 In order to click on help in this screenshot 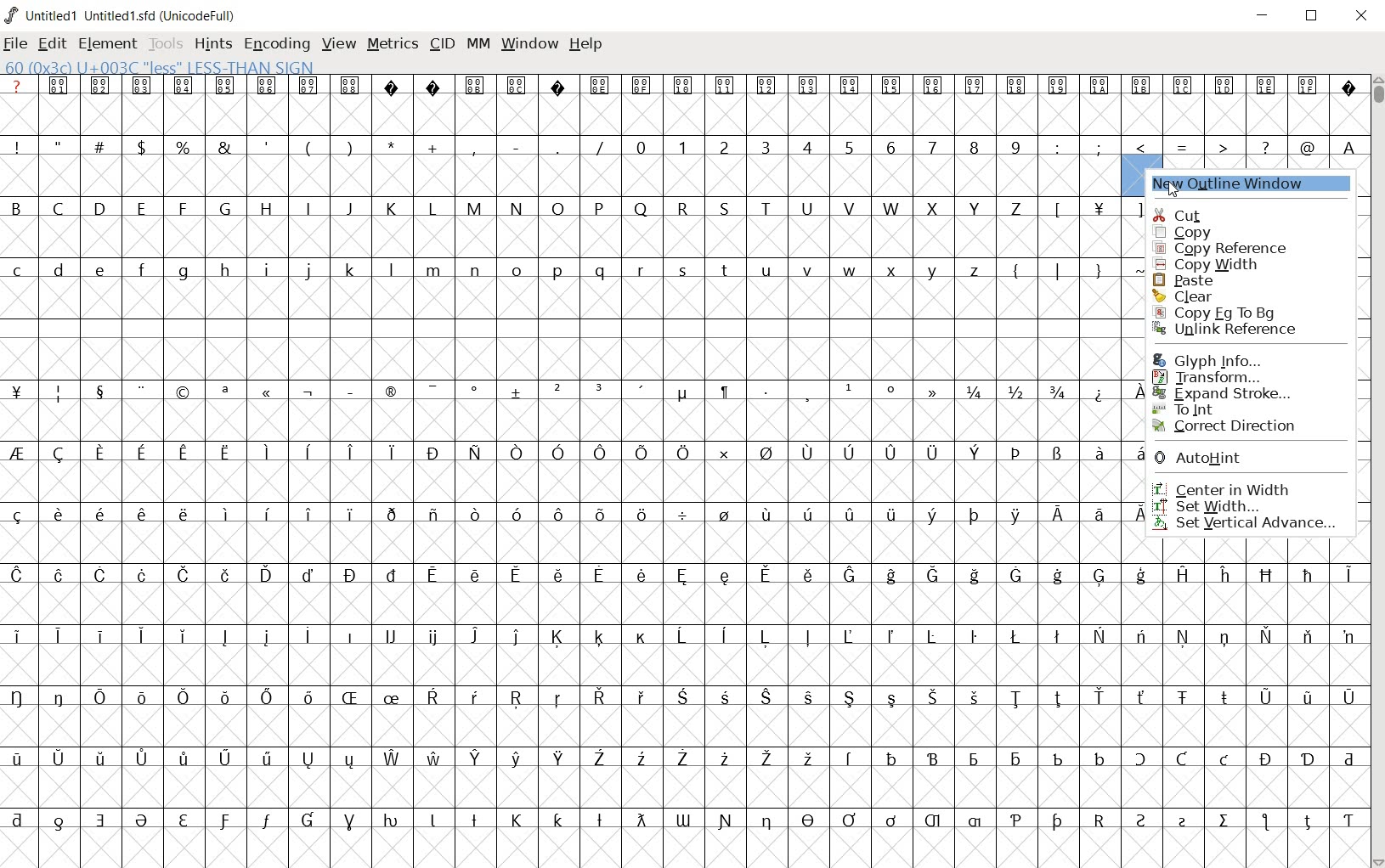, I will do `click(586, 45)`.